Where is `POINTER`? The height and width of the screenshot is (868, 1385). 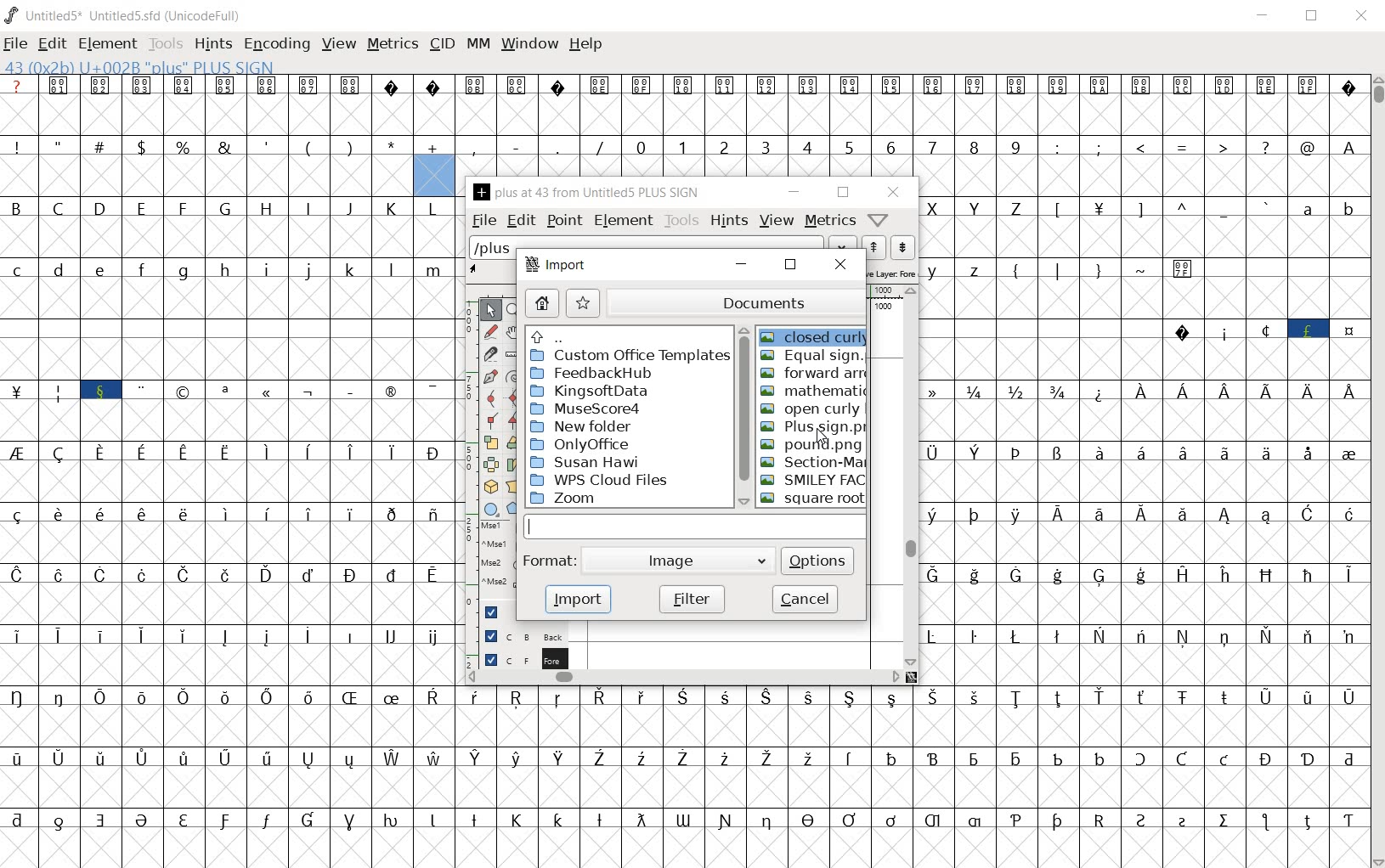
POINTER is located at coordinates (489, 311).